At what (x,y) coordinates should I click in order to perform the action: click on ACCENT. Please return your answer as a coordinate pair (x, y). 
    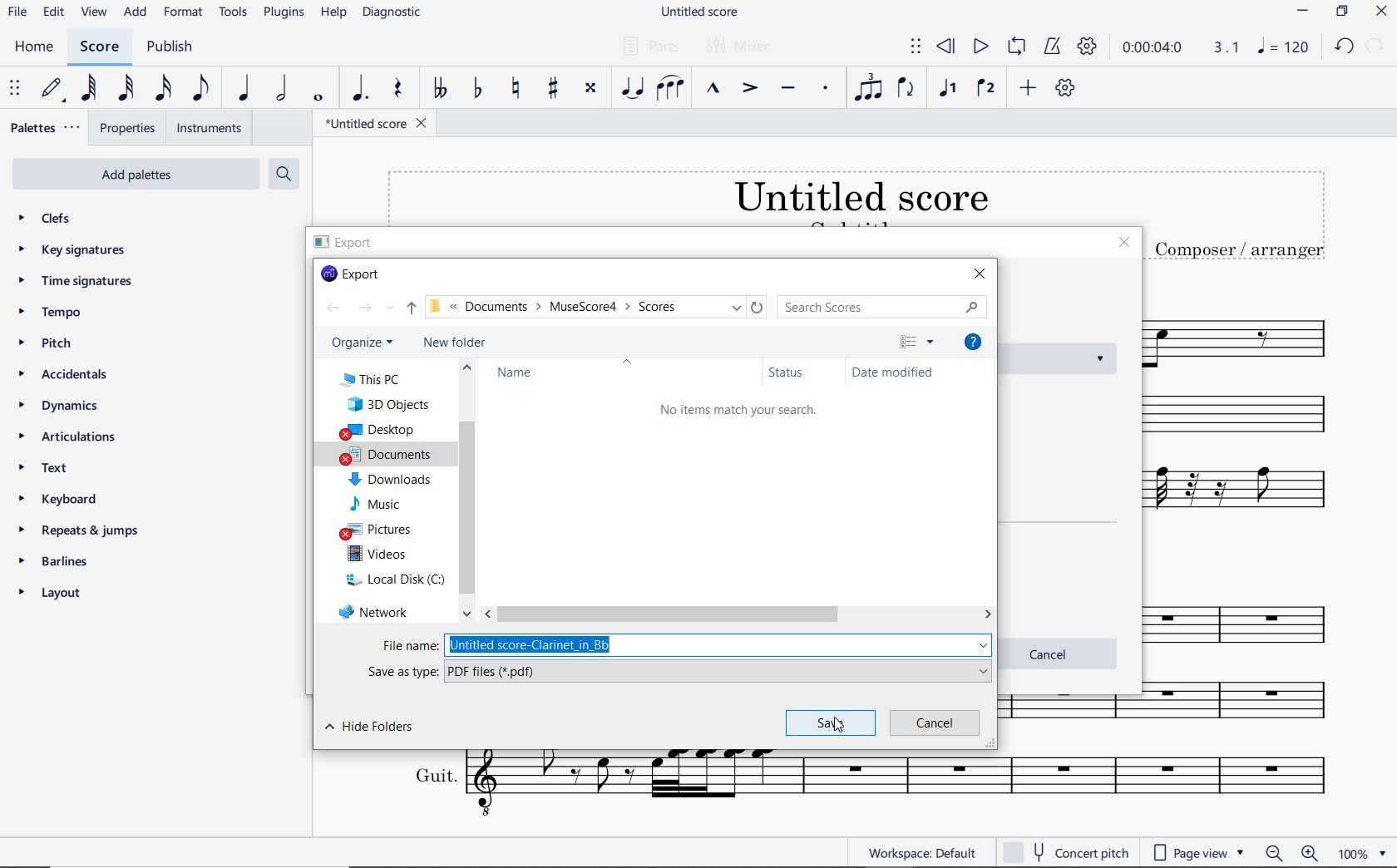
    Looking at the image, I should click on (749, 86).